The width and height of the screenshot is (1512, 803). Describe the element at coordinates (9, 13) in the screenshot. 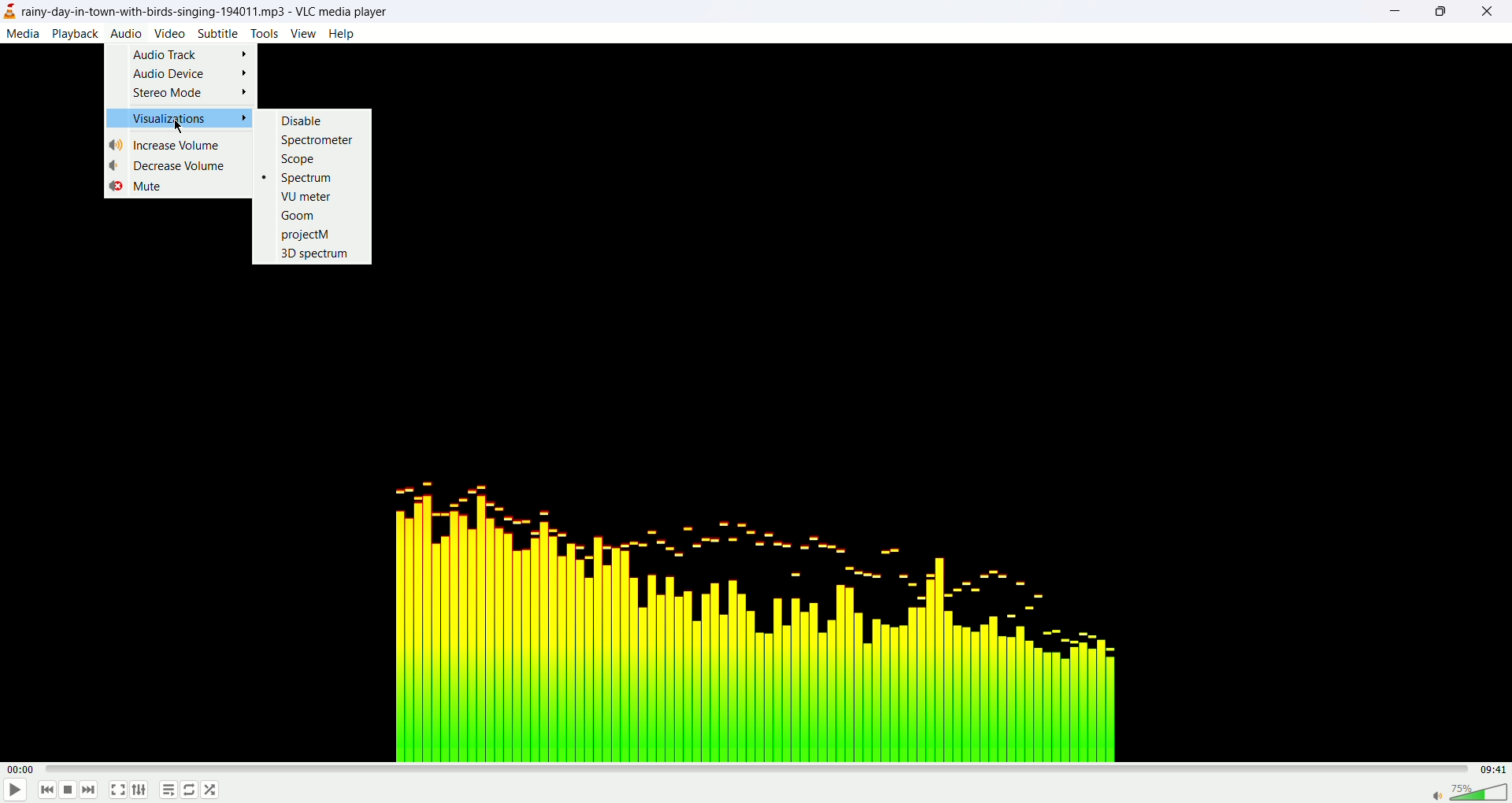

I see `logo` at that location.